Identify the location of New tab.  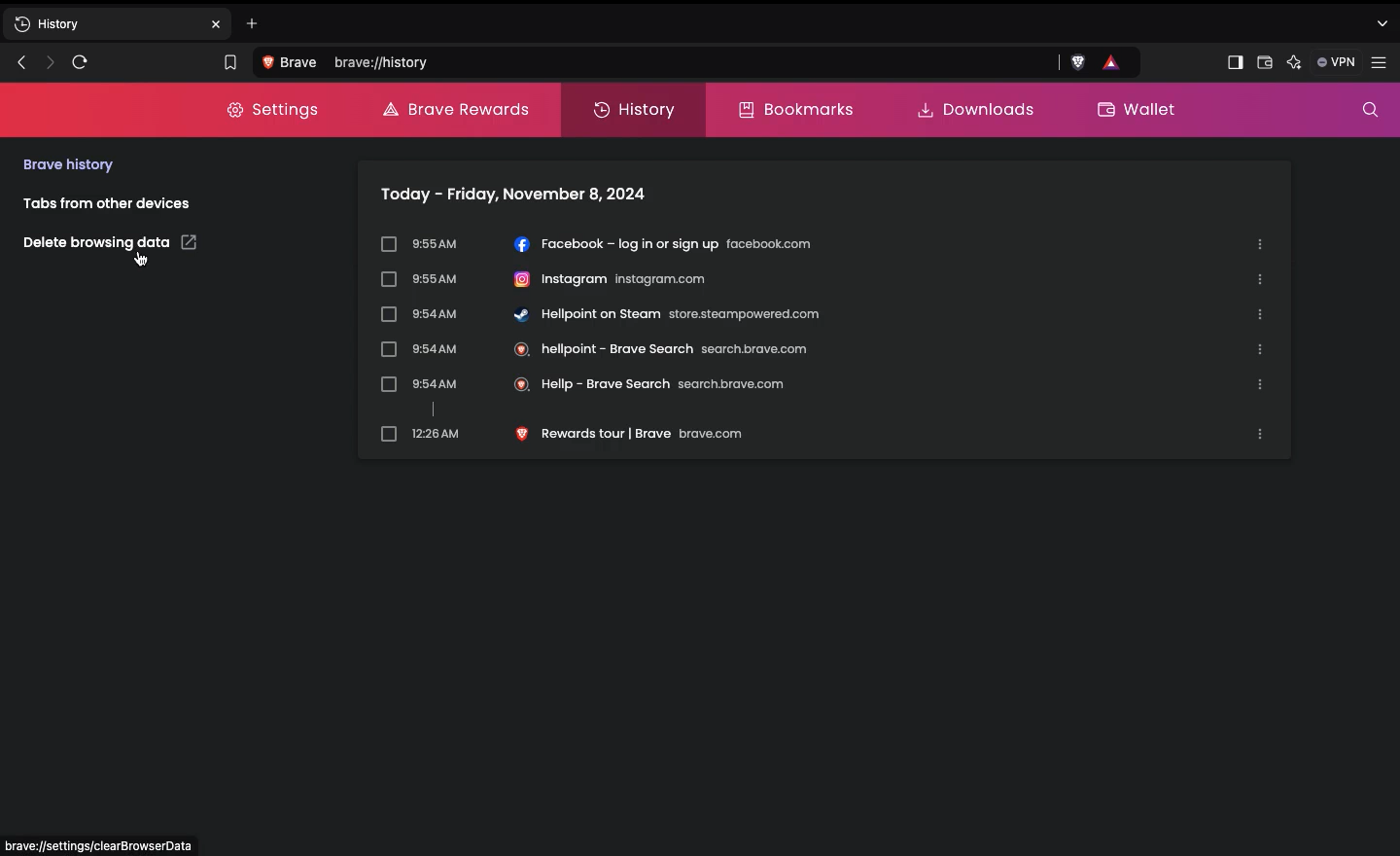
(116, 26).